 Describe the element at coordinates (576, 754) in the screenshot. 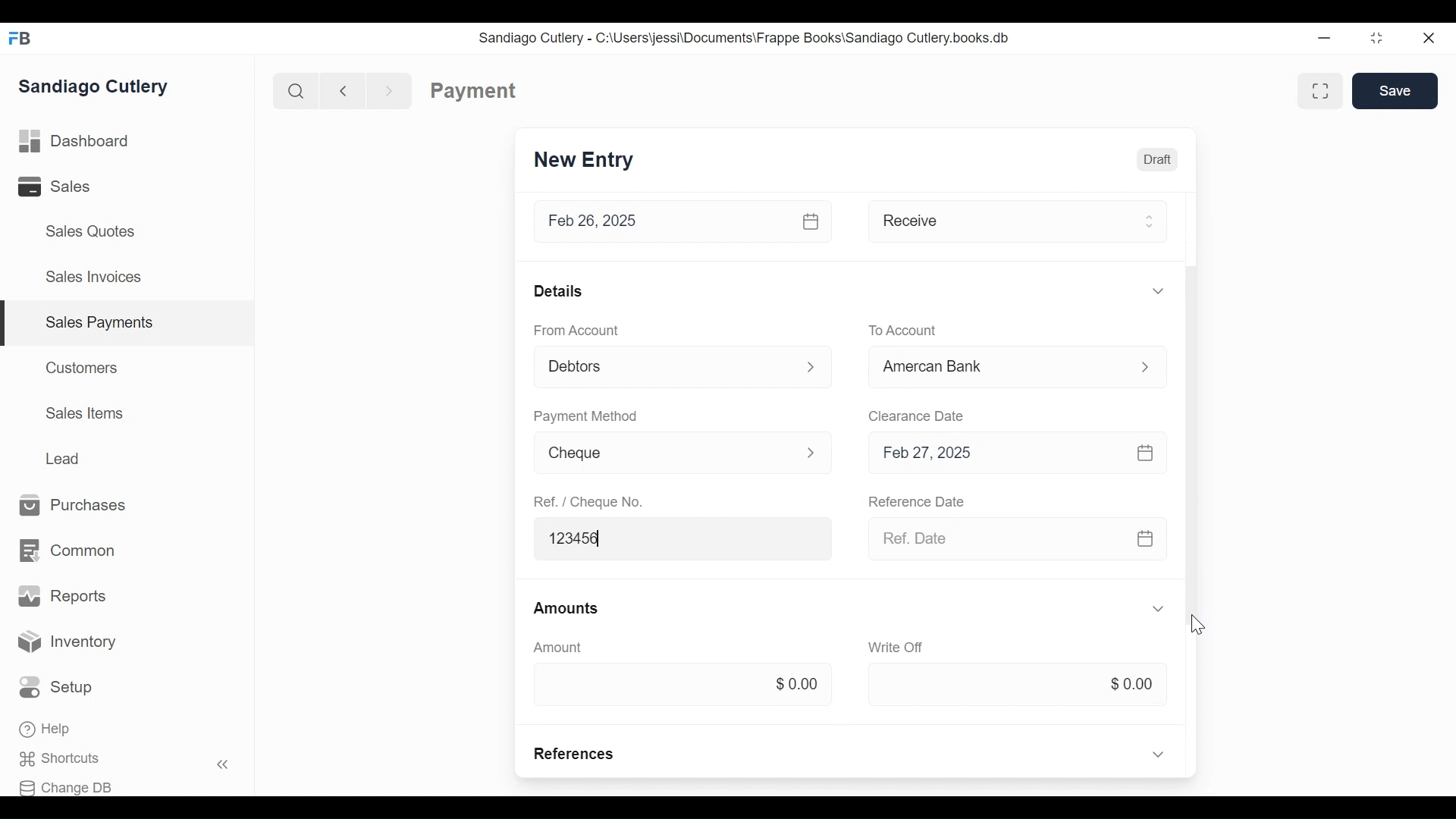

I see `References` at that location.